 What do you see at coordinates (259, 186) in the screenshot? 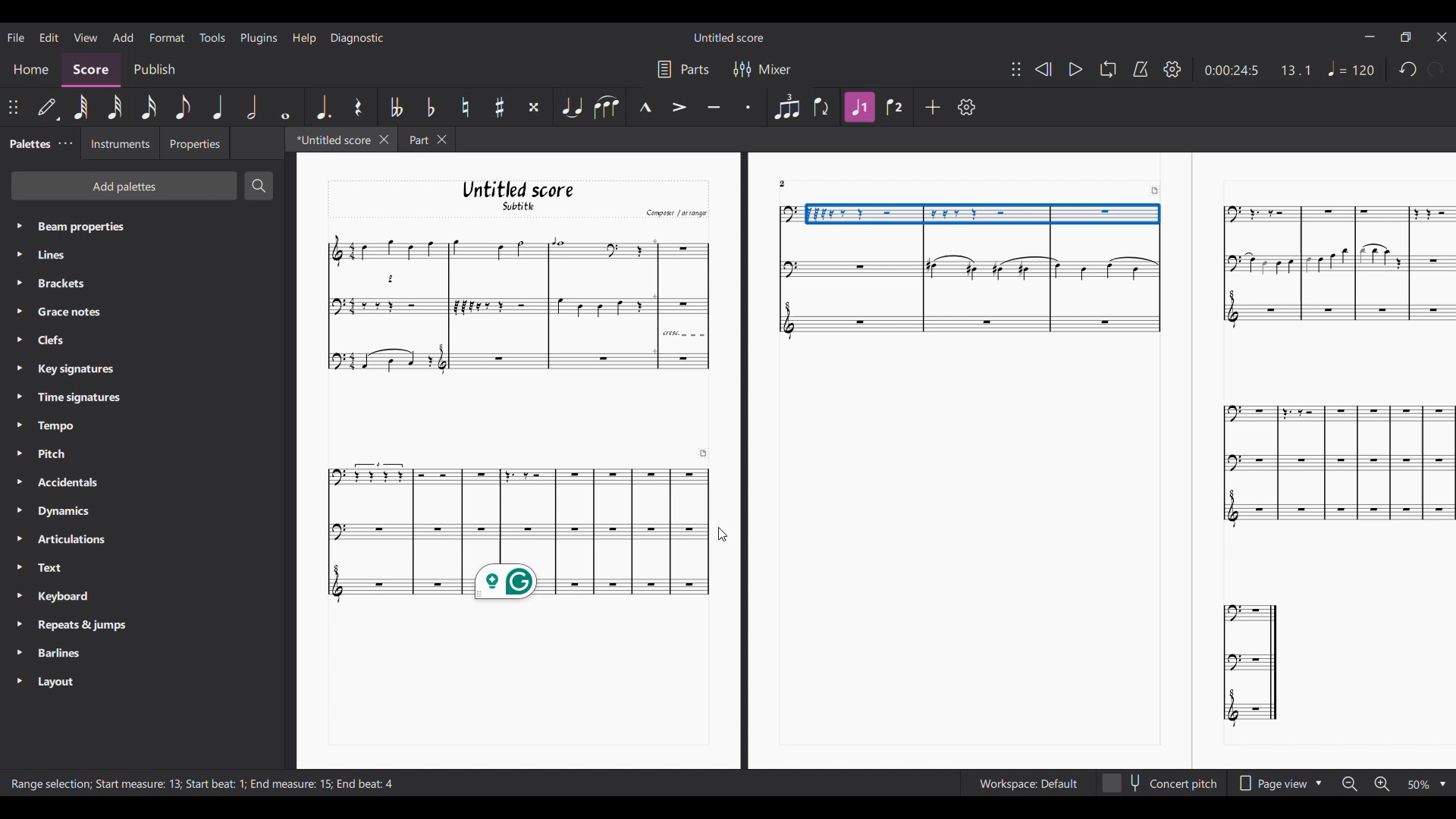
I see `Search` at bounding box center [259, 186].